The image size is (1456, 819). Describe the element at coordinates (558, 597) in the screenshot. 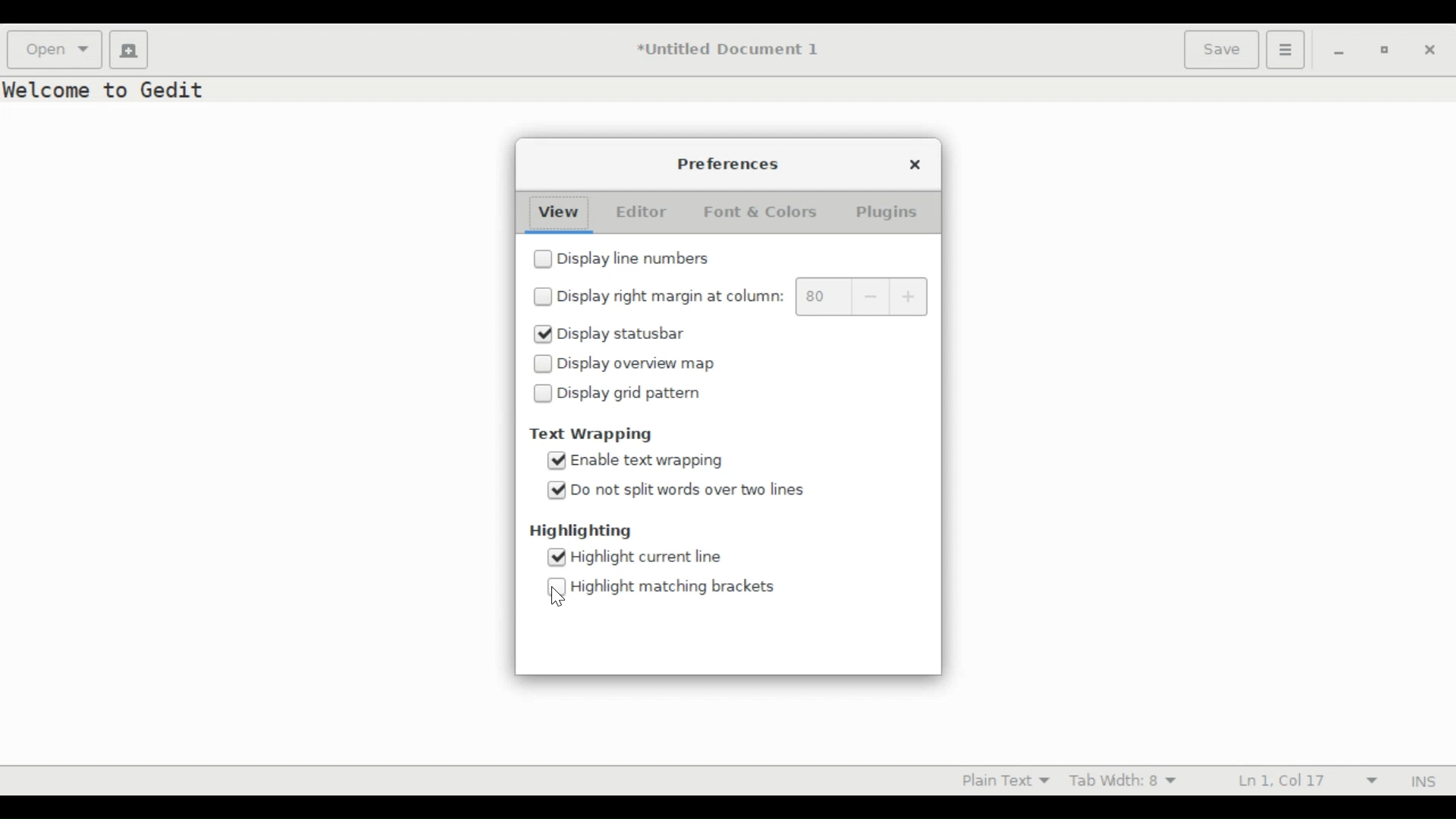

I see `cursor` at that location.